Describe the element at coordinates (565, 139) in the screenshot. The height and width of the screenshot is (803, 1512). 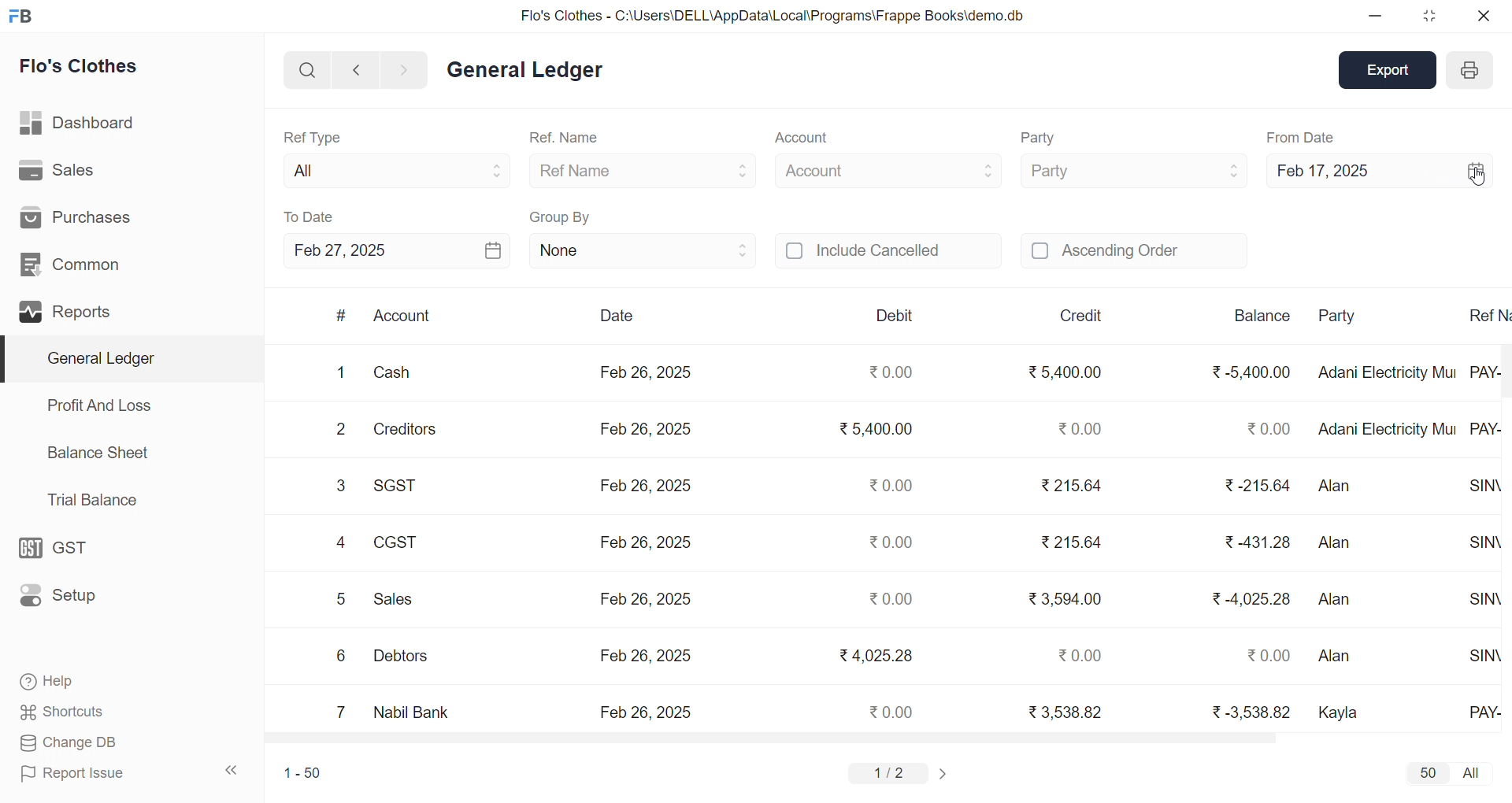
I see `Ref. Name` at that location.